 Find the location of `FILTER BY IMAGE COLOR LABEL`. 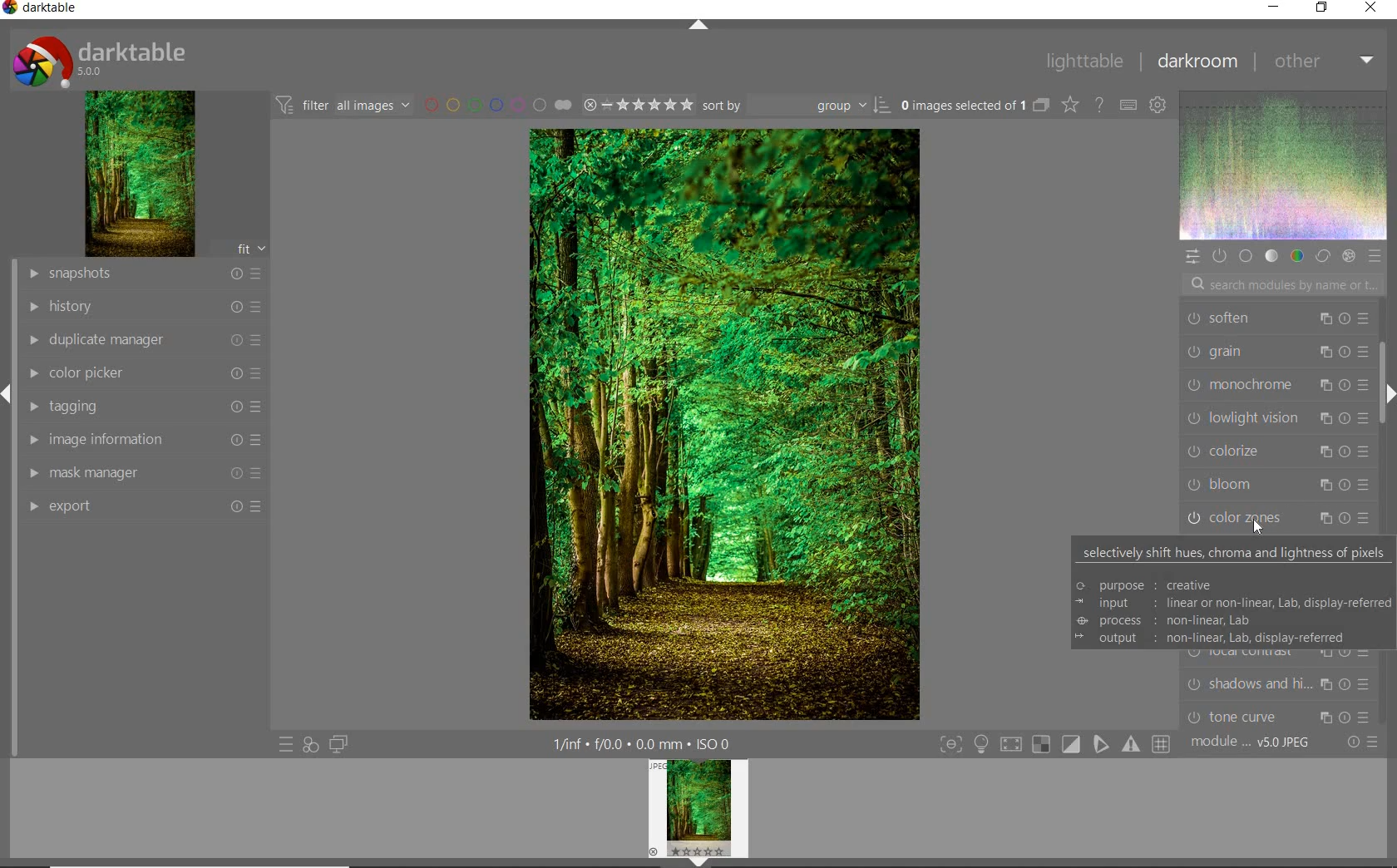

FILTER BY IMAGE COLOR LABEL is located at coordinates (495, 103).